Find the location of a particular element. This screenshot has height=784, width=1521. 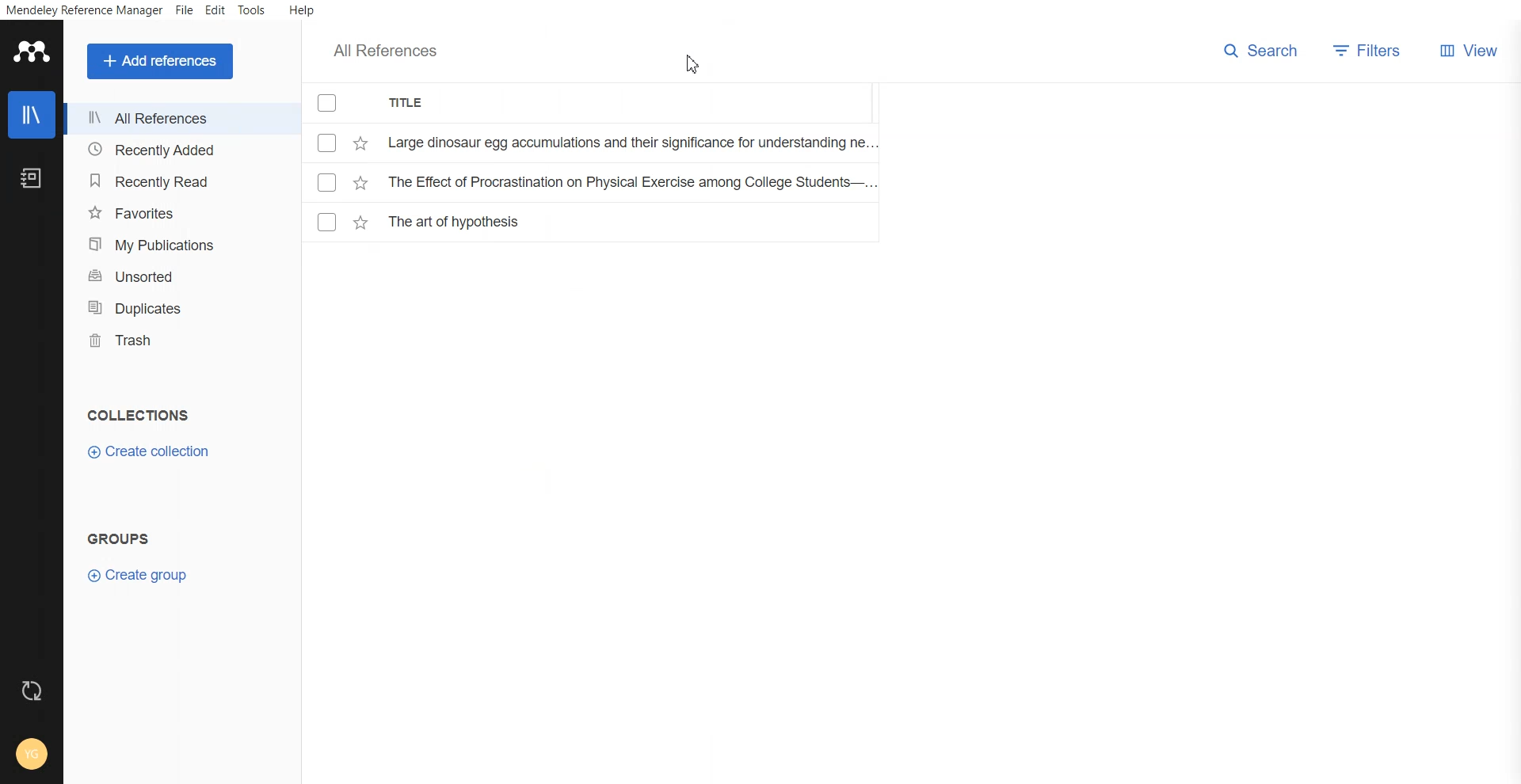

Tools is located at coordinates (252, 11).